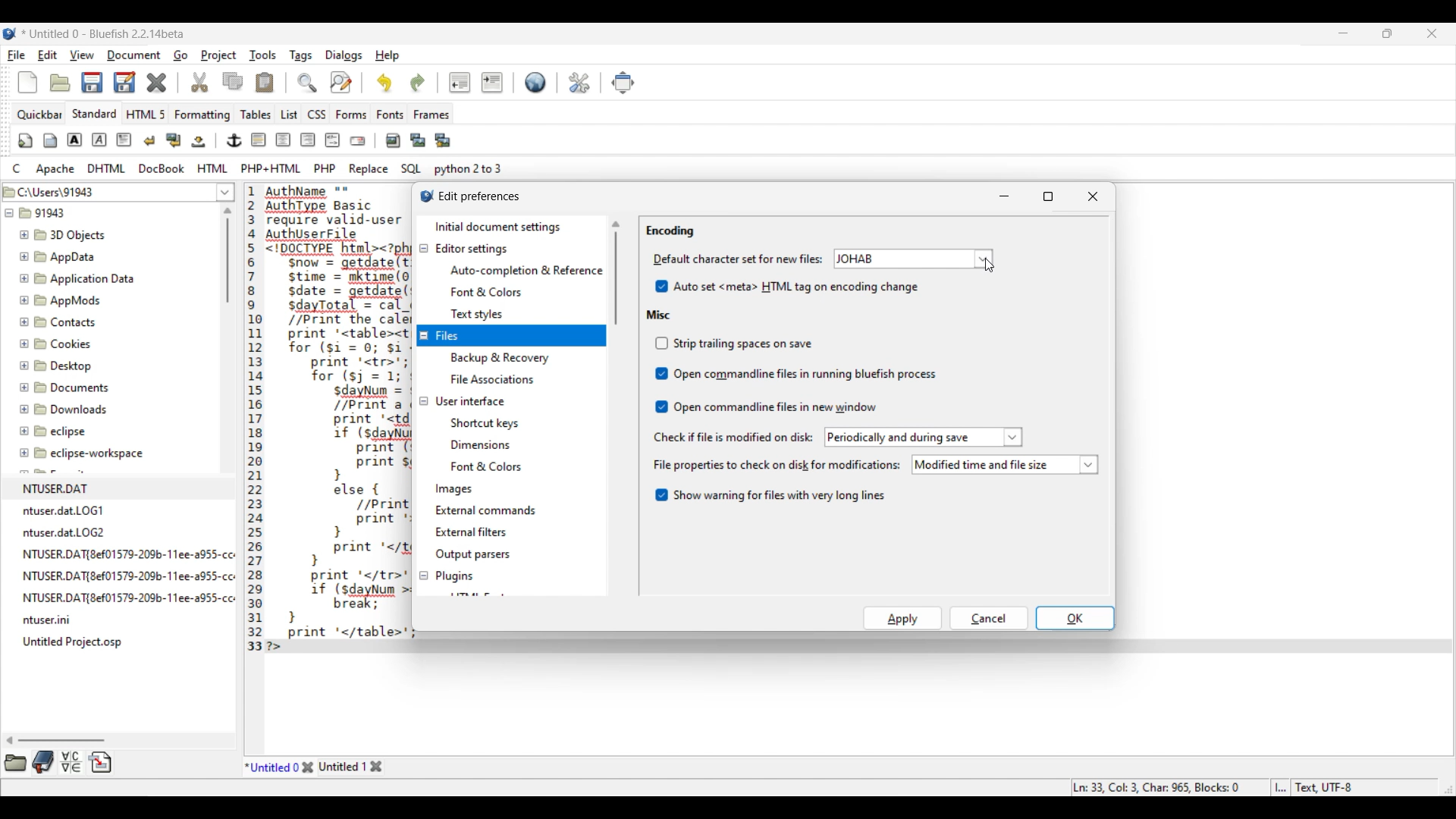 This screenshot has height=819, width=1456. I want to click on Default character options, so click(913, 259).